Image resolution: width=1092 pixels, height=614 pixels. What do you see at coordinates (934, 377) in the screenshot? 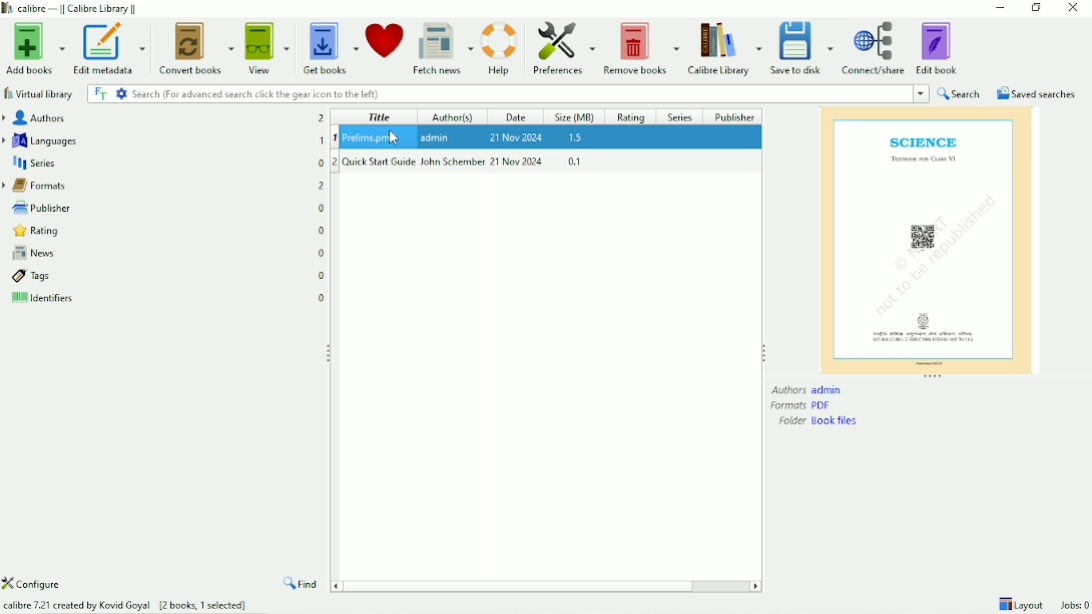
I see `Resize` at bounding box center [934, 377].